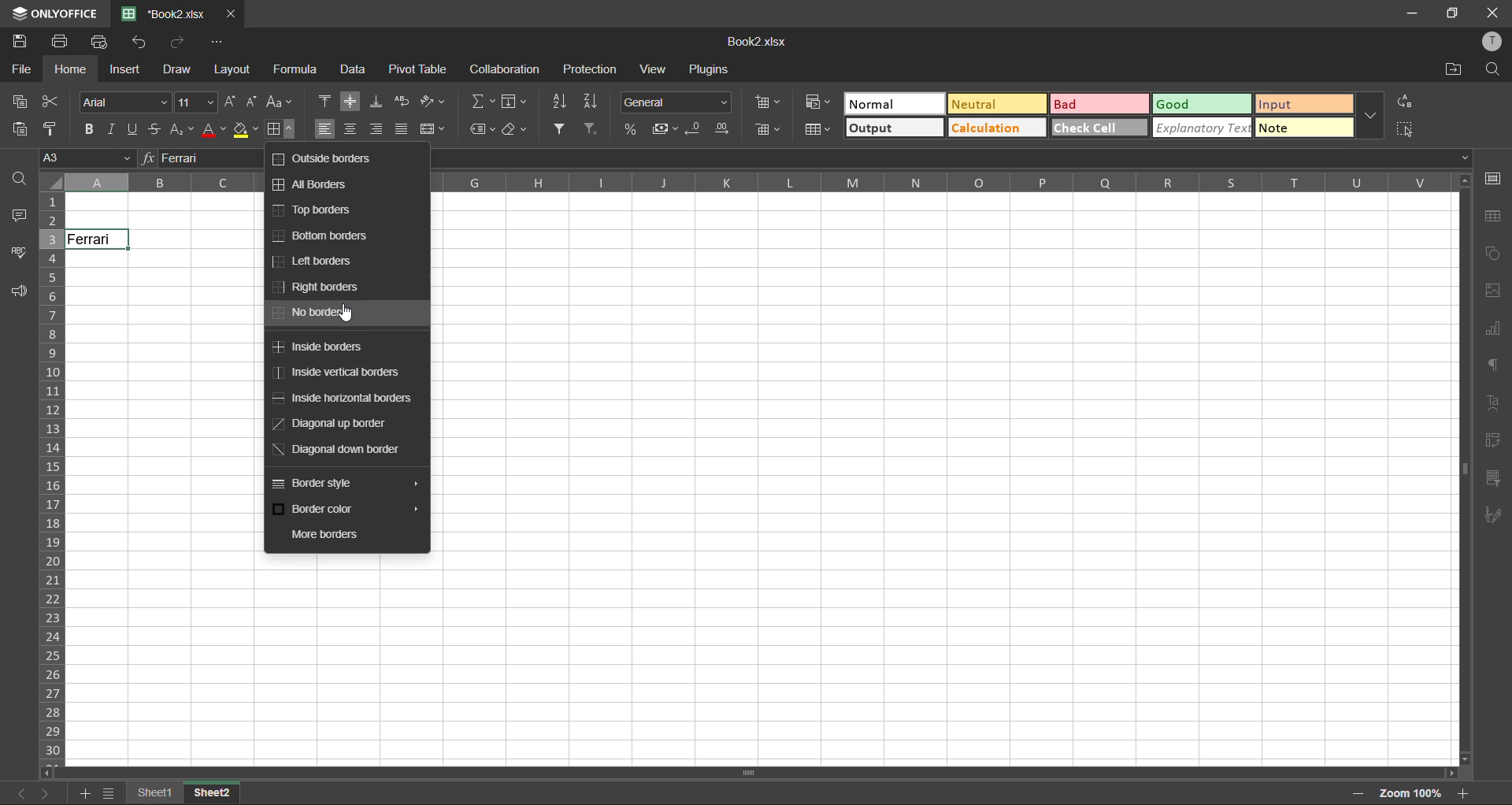 The width and height of the screenshot is (1512, 805). What do you see at coordinates (401, 128) in the screenshot?
I see `justified` at bounding box center [401, 128].